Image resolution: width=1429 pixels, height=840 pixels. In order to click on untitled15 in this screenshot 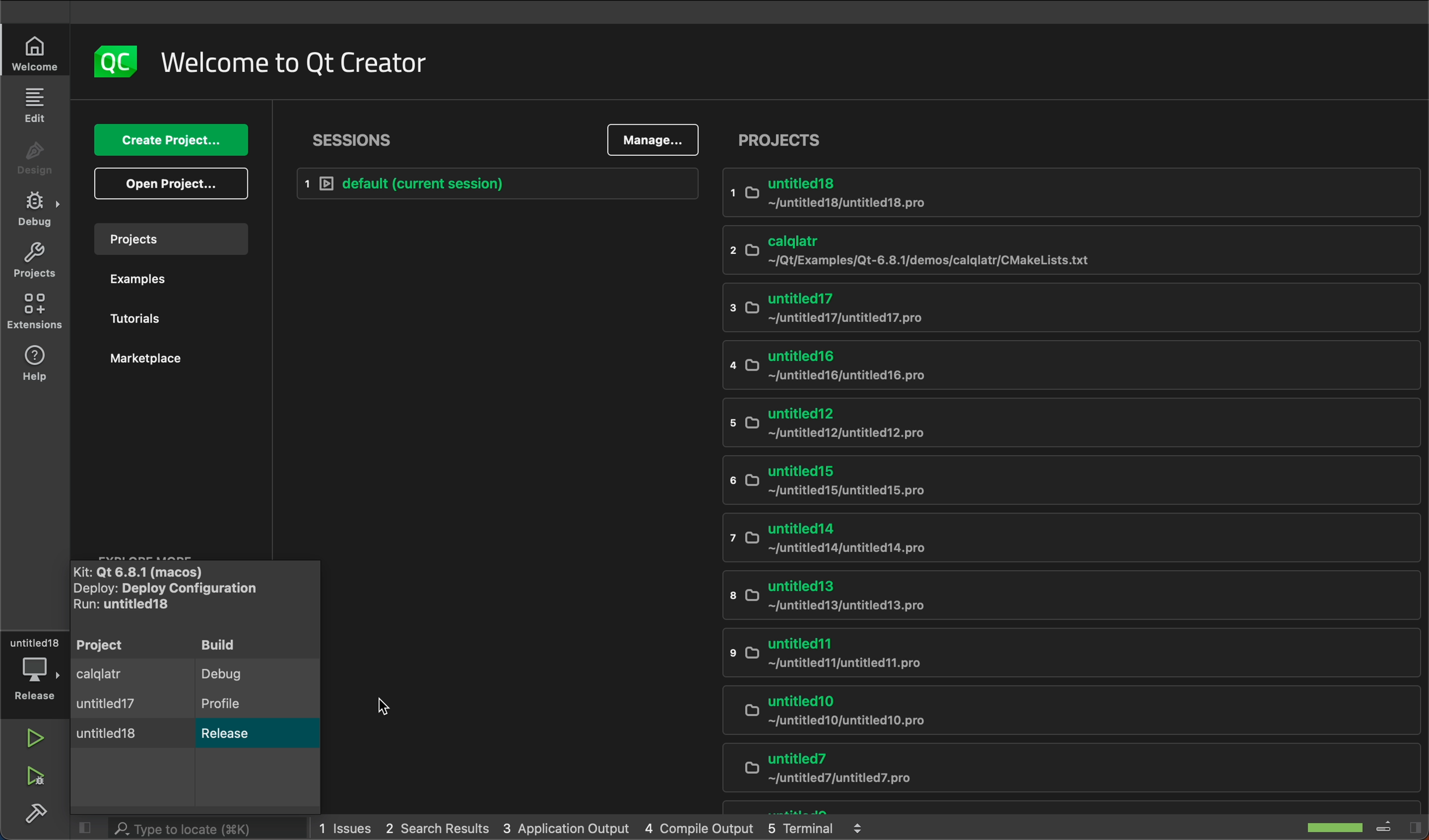, I will do `click(1008, 482)`.